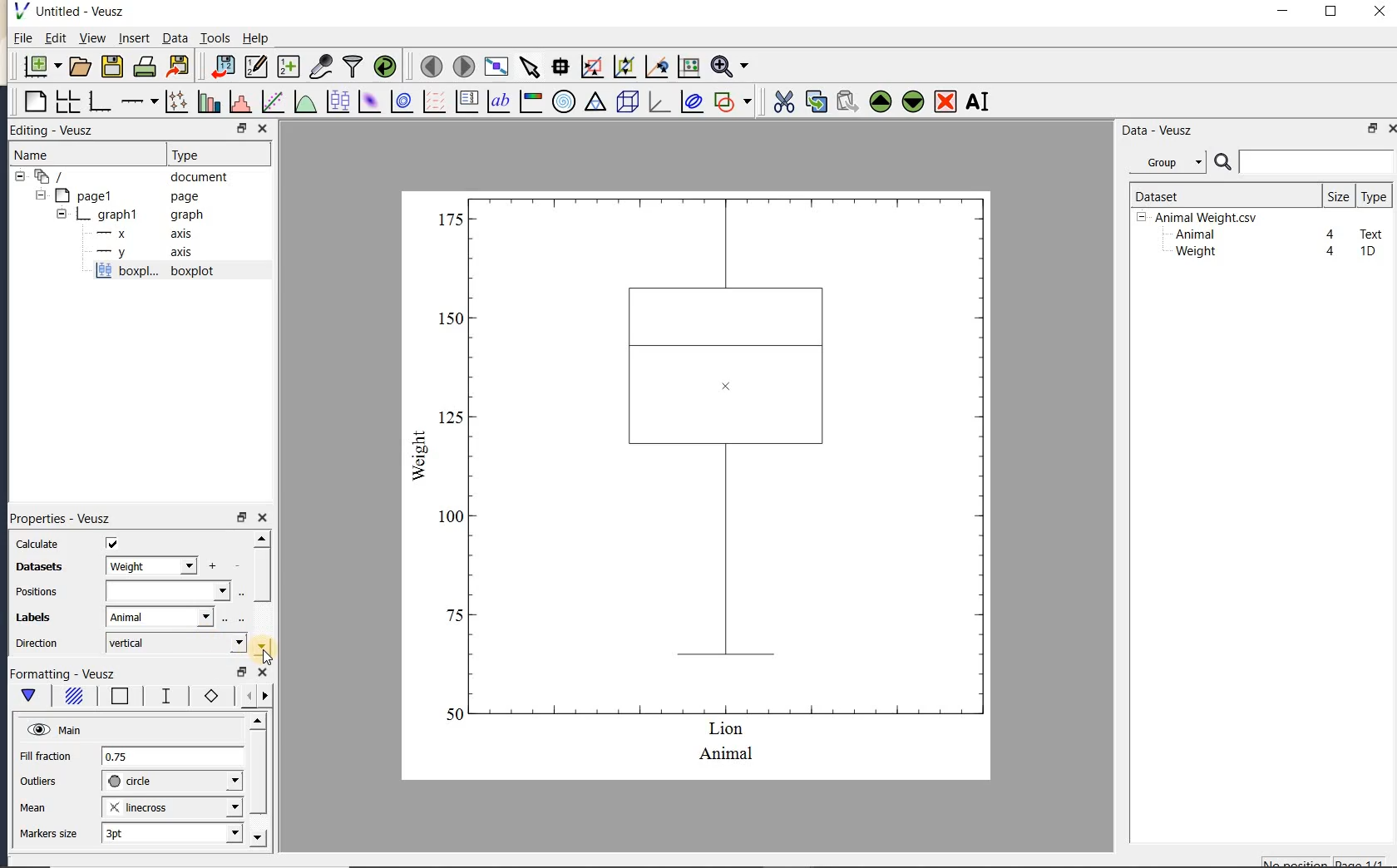 The image size is (1397, 868). Describe the element at coordinates (52, 40) in the screenshot. I see `Edit` at that location.